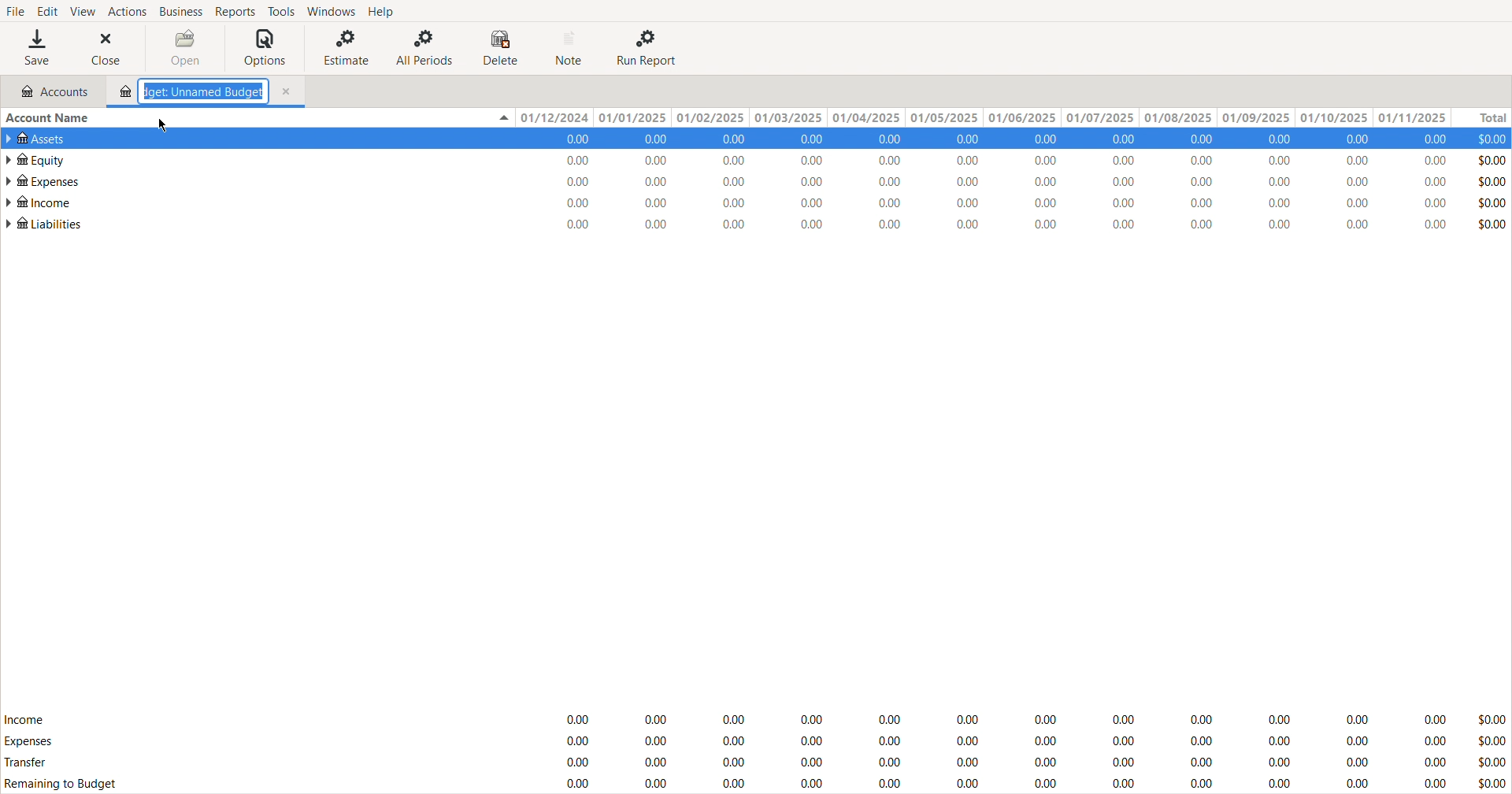 The image size is (1512, 794). What do you see at coordinates (1480, 115) in the screenshot?
I see `Total` at bounding box center [1480, 115].